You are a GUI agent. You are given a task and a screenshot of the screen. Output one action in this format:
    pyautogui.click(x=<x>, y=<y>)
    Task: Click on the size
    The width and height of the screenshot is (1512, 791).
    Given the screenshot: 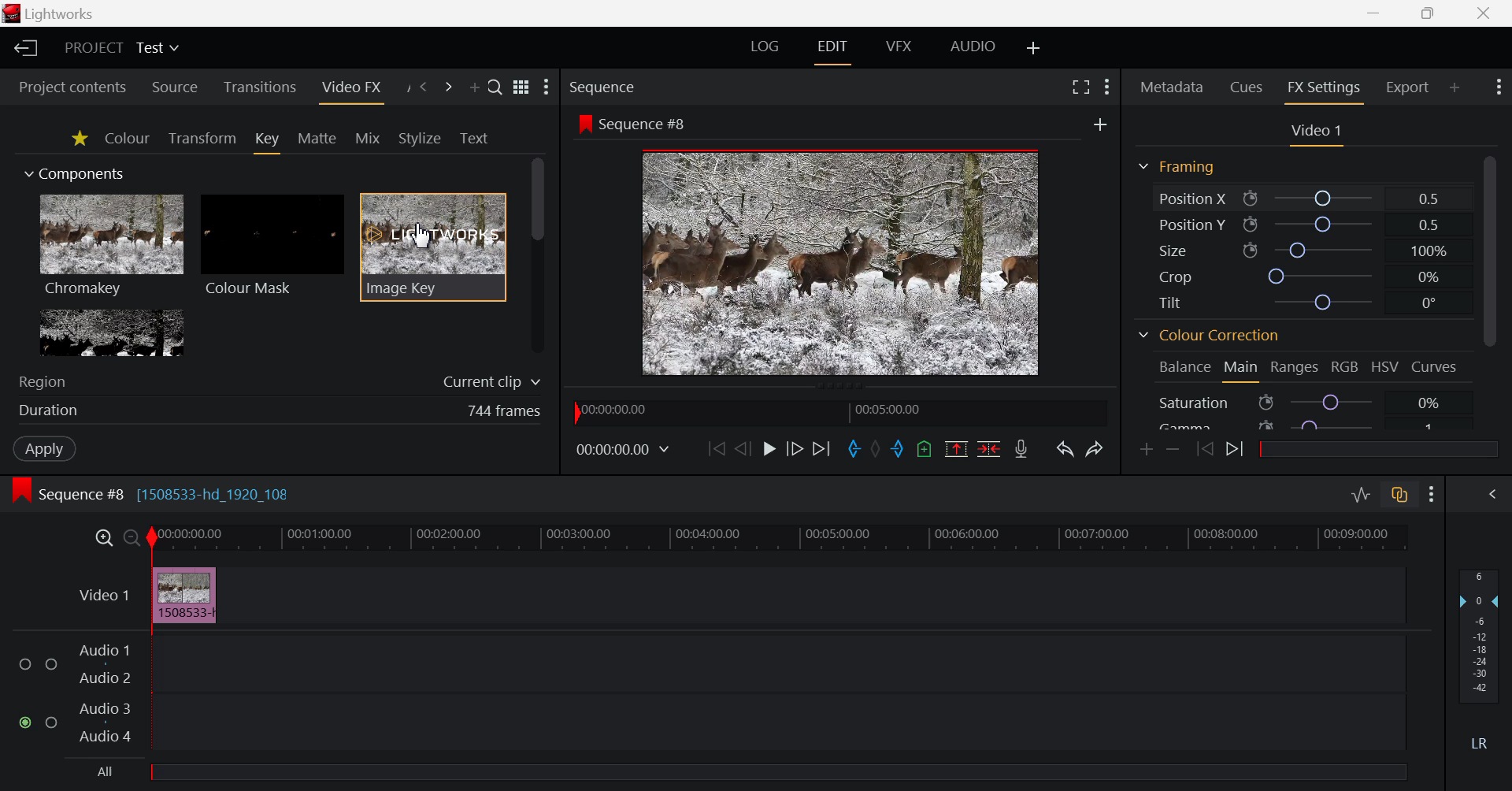 What is the action you would take?
    pyautogui.click(x=1323, y=251)
    